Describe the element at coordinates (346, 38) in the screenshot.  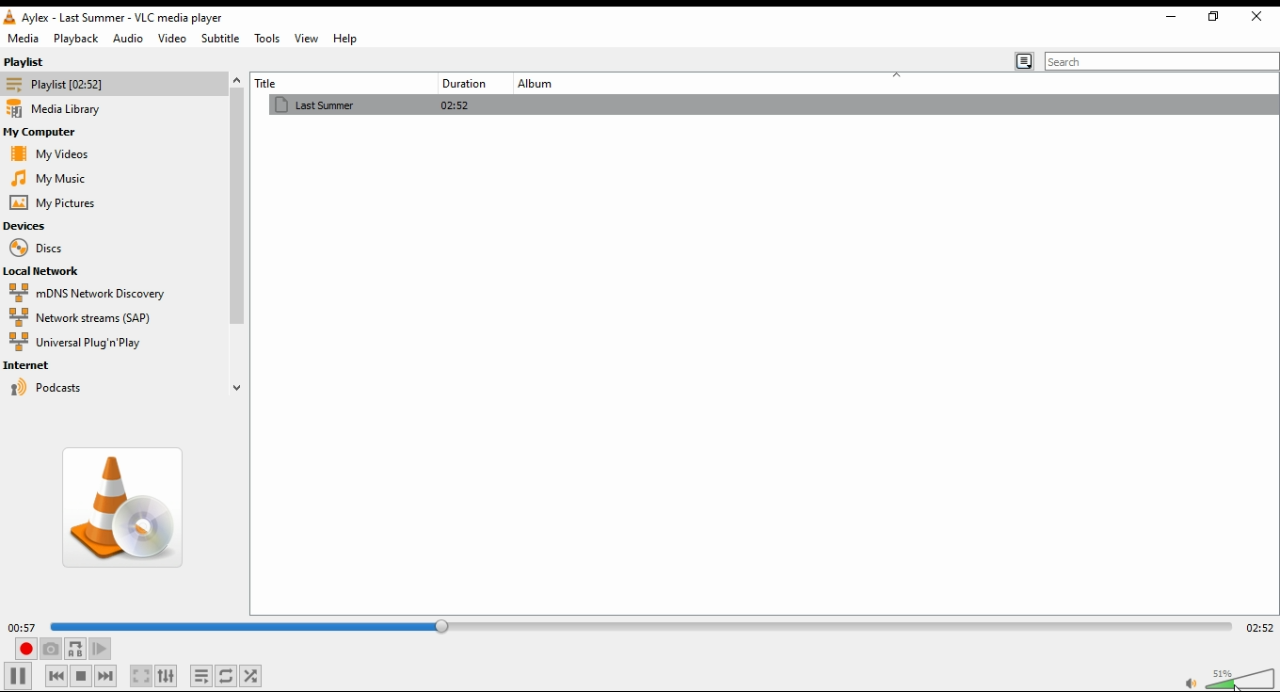
I see `help` at that location.